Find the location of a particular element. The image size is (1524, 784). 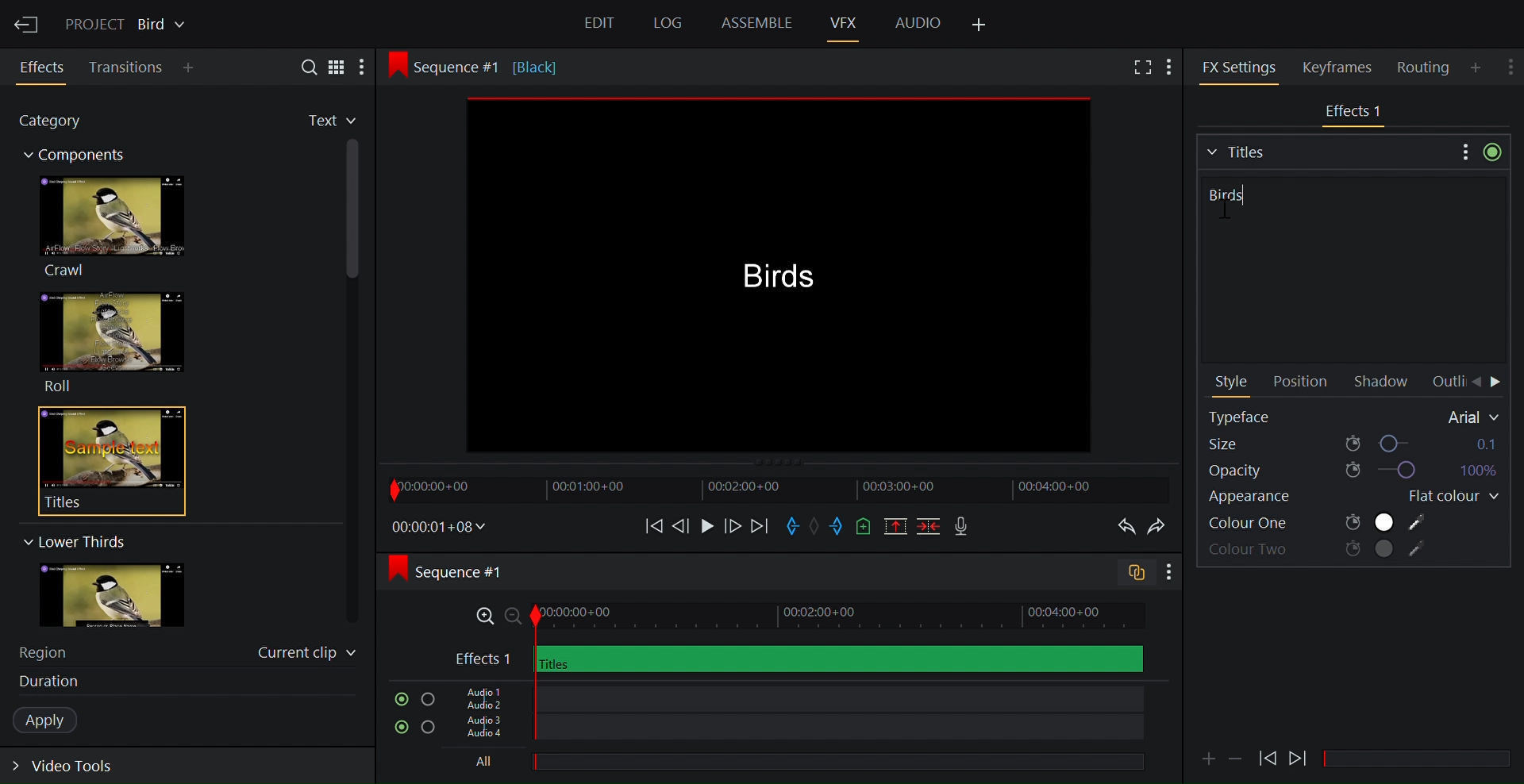

Mute/Unmute is located at coordinates (398, 728).